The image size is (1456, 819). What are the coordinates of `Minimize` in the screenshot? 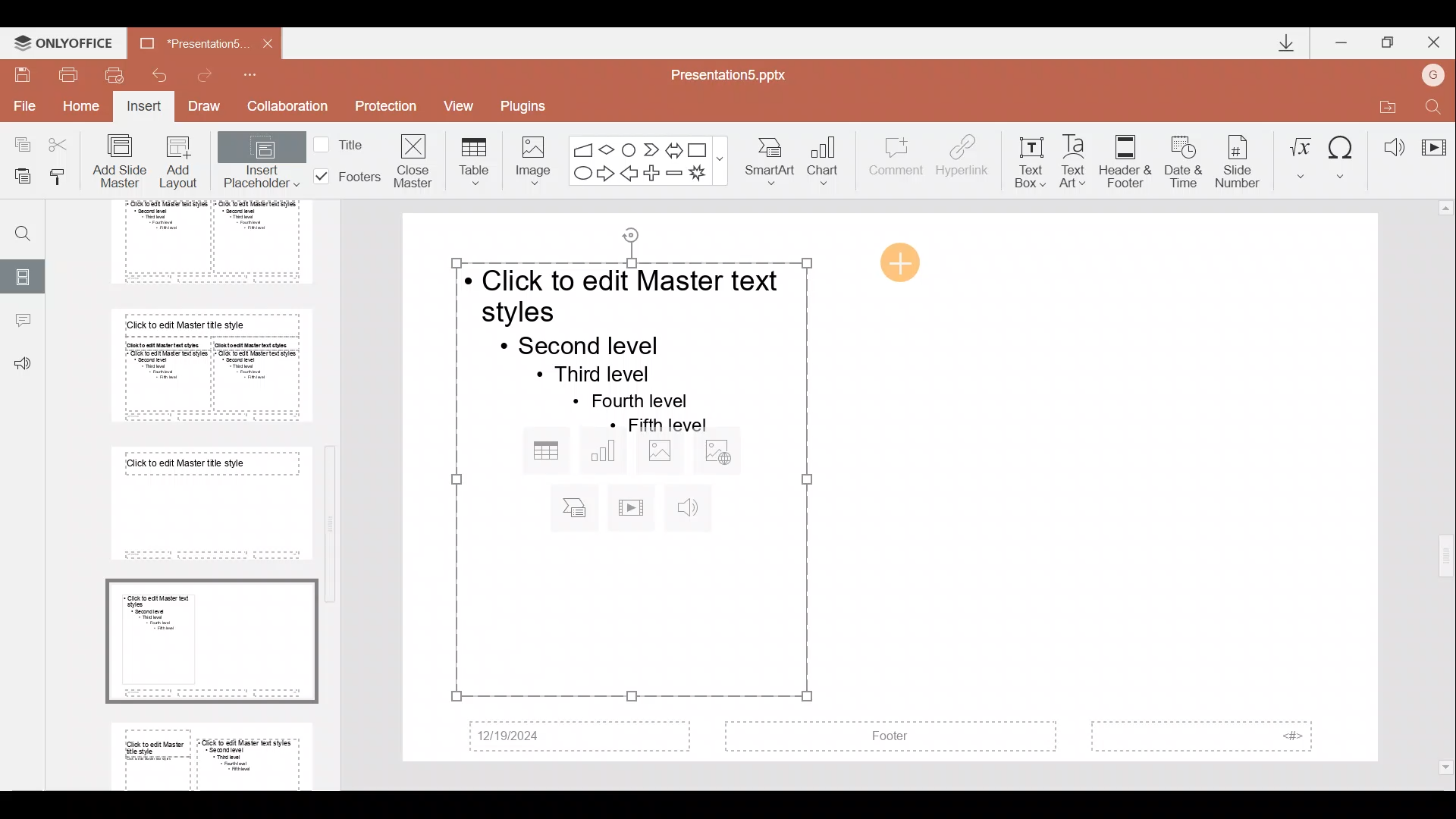 It's located at (1342, 39).